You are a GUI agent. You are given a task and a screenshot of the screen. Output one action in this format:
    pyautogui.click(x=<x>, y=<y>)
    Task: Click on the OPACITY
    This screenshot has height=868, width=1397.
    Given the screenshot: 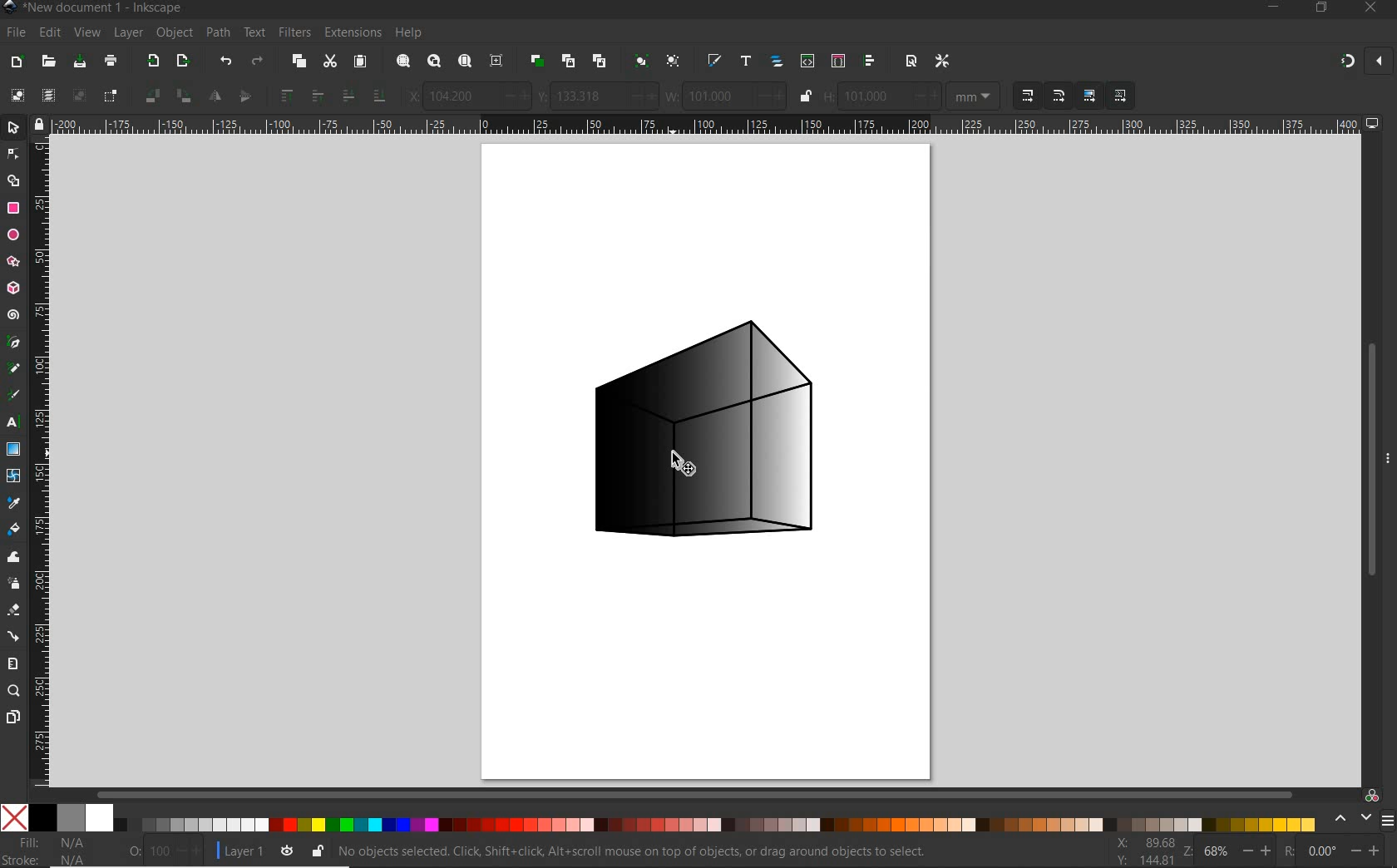 What is the action you would take?
    pyautogui.click(x=135, y=848)
    